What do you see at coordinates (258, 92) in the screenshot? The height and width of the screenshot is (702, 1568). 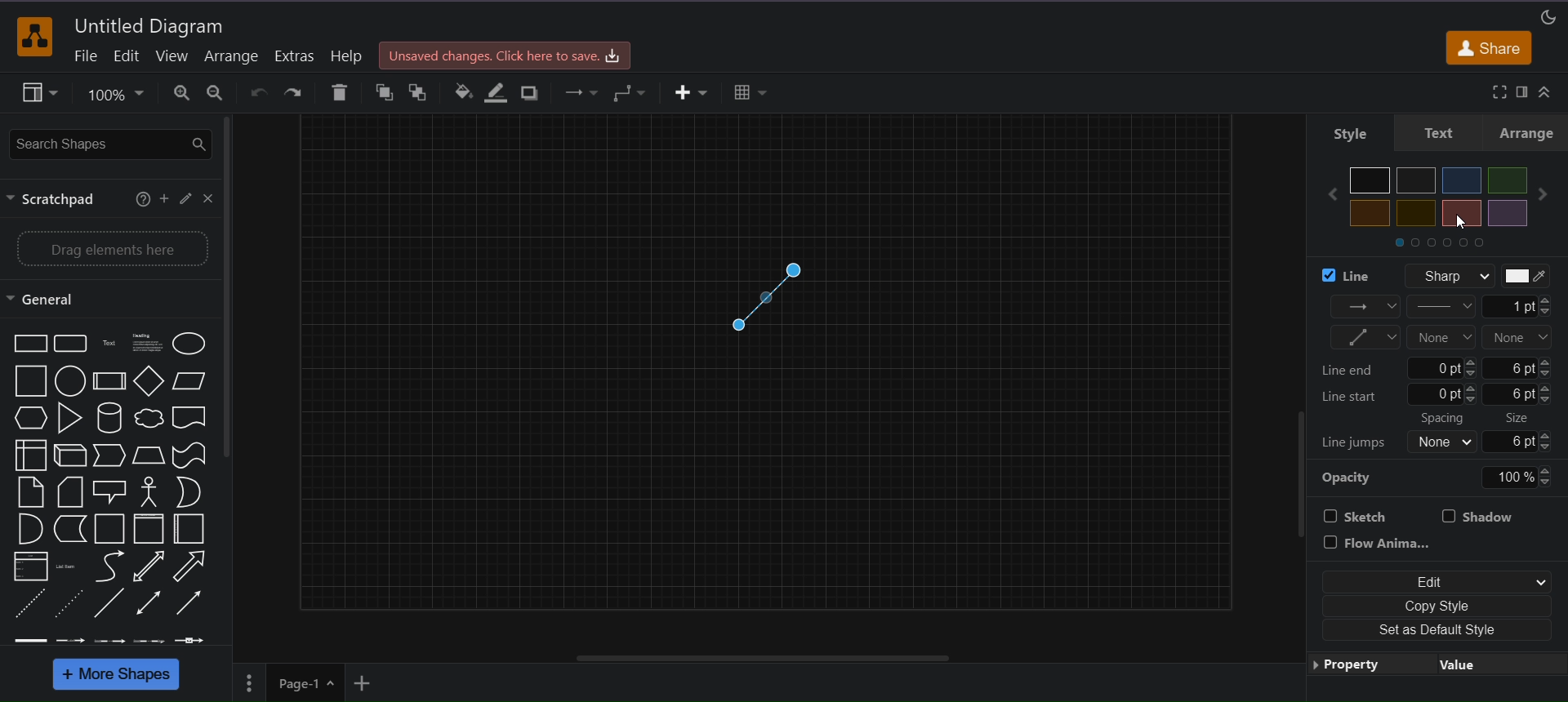 I see `undo` at bounding box center [258, 92].